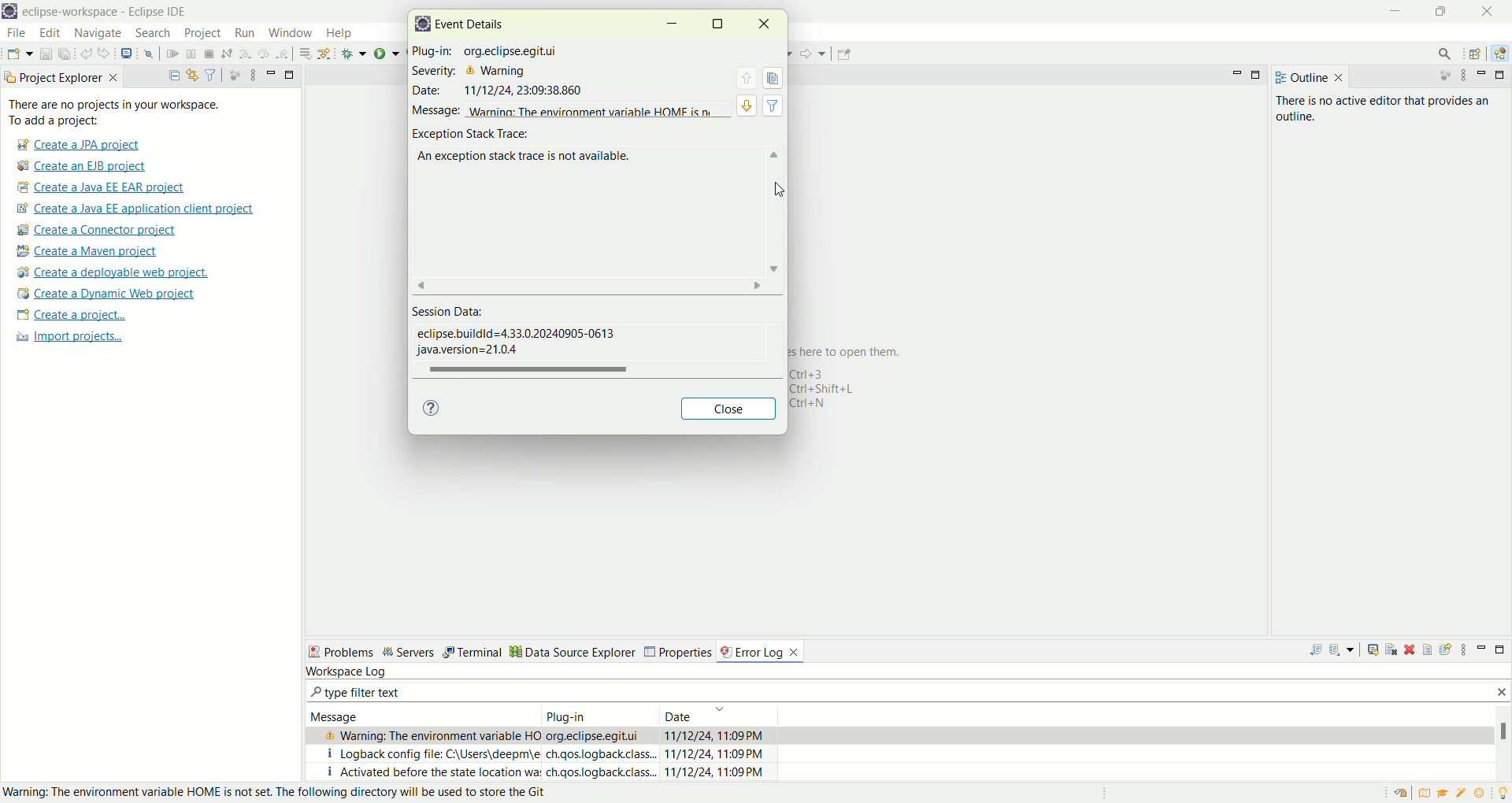  What do you see at coordinates (45, 54) in the screenshot?
I see `save` at bounding box center [45, 54].